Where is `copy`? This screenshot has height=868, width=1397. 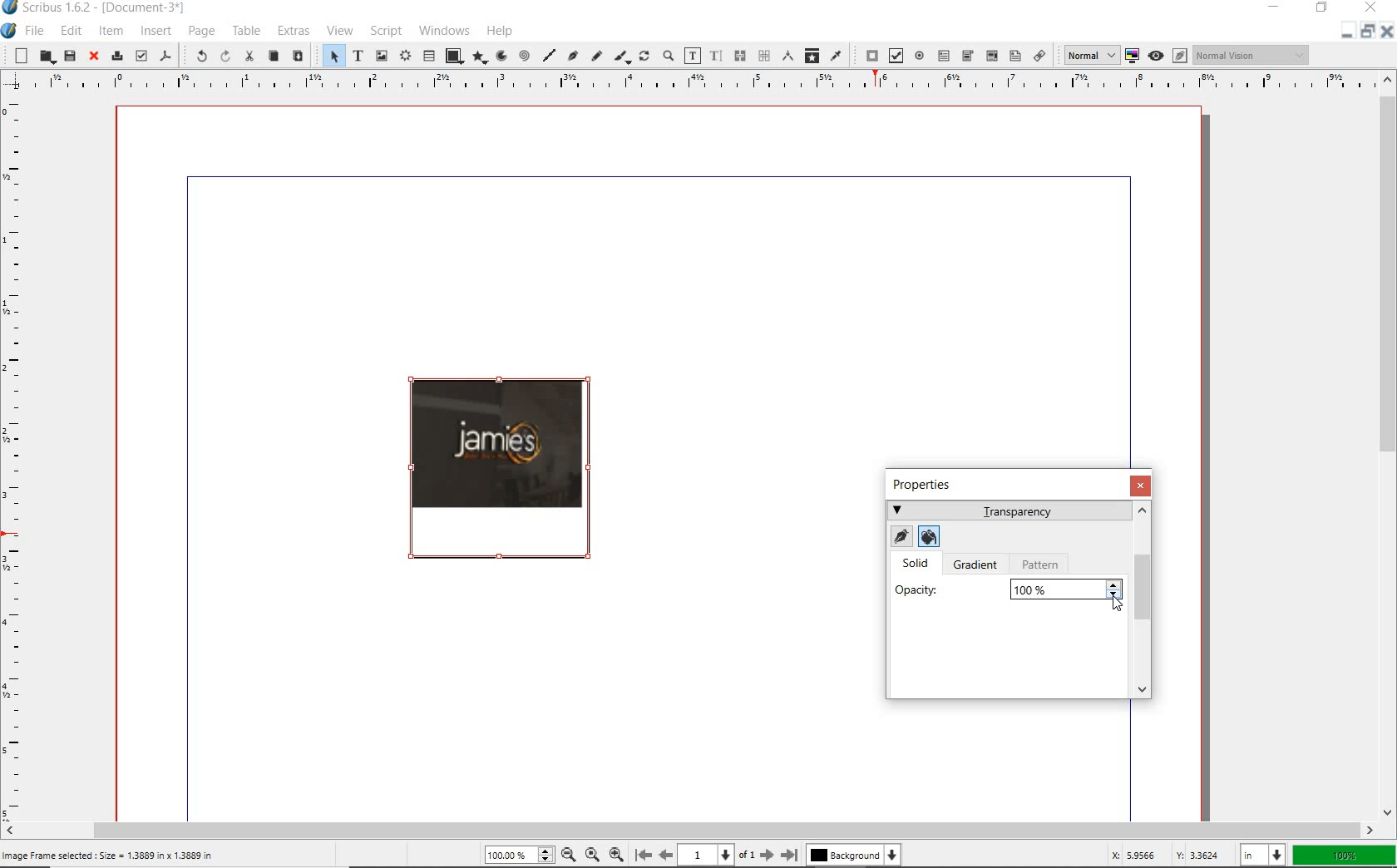 copy is located at coordinates (274, 56).